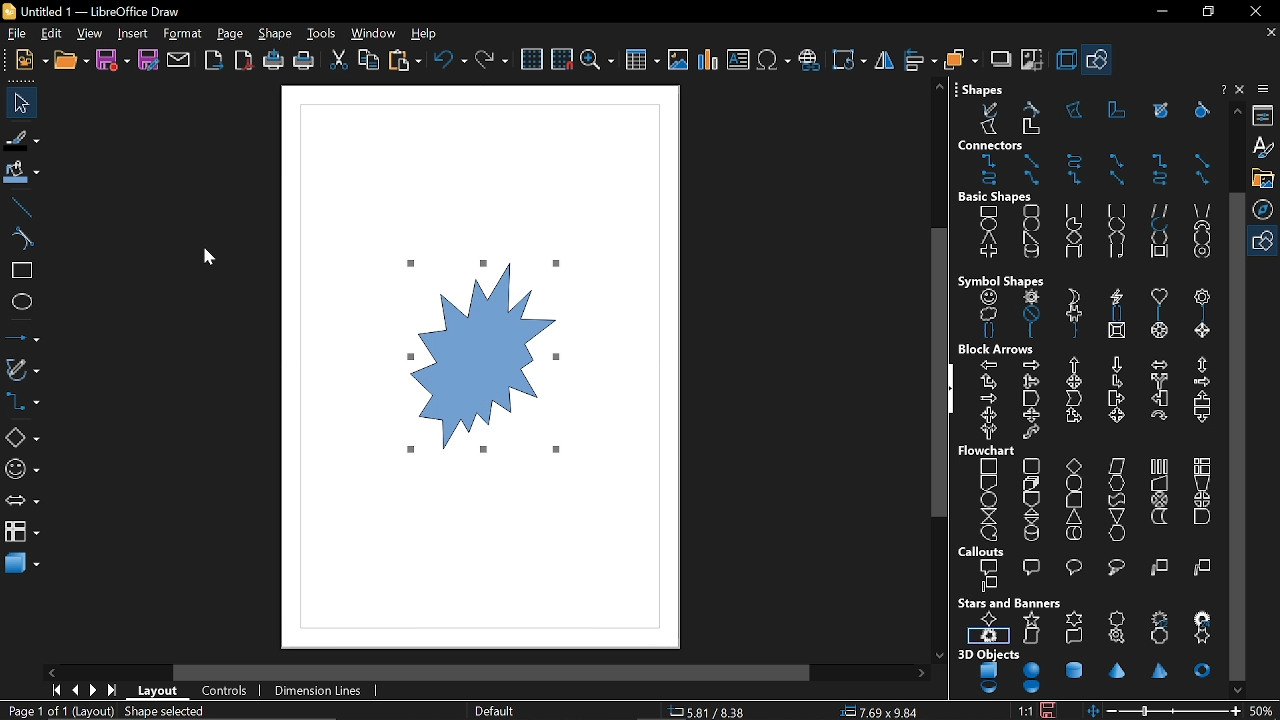 This screenshot has height=720, width=1280. I want to click on (Layout) Shape Selected, so click(140, 710).